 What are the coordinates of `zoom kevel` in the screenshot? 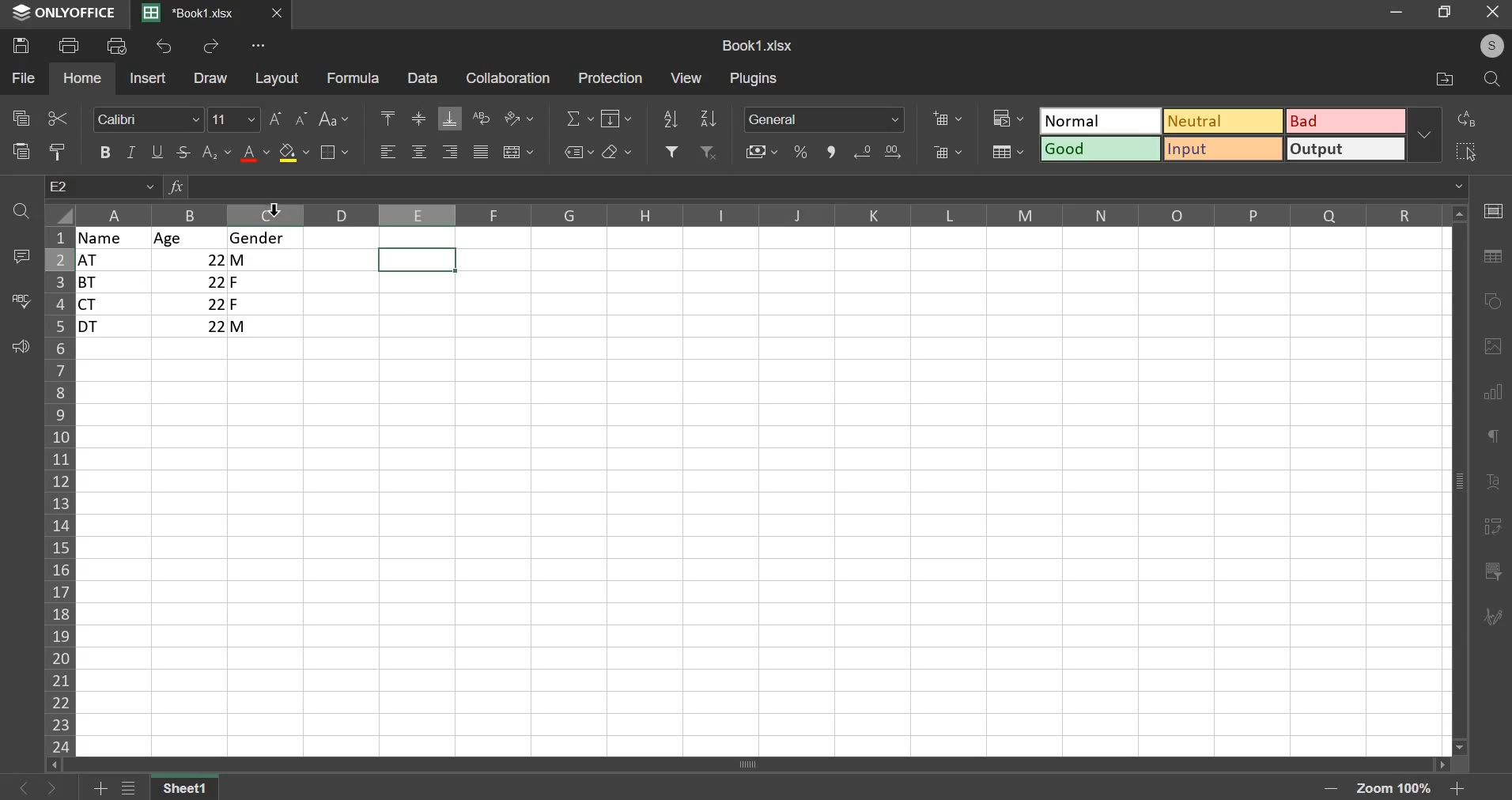 It's located at (1397, 790).